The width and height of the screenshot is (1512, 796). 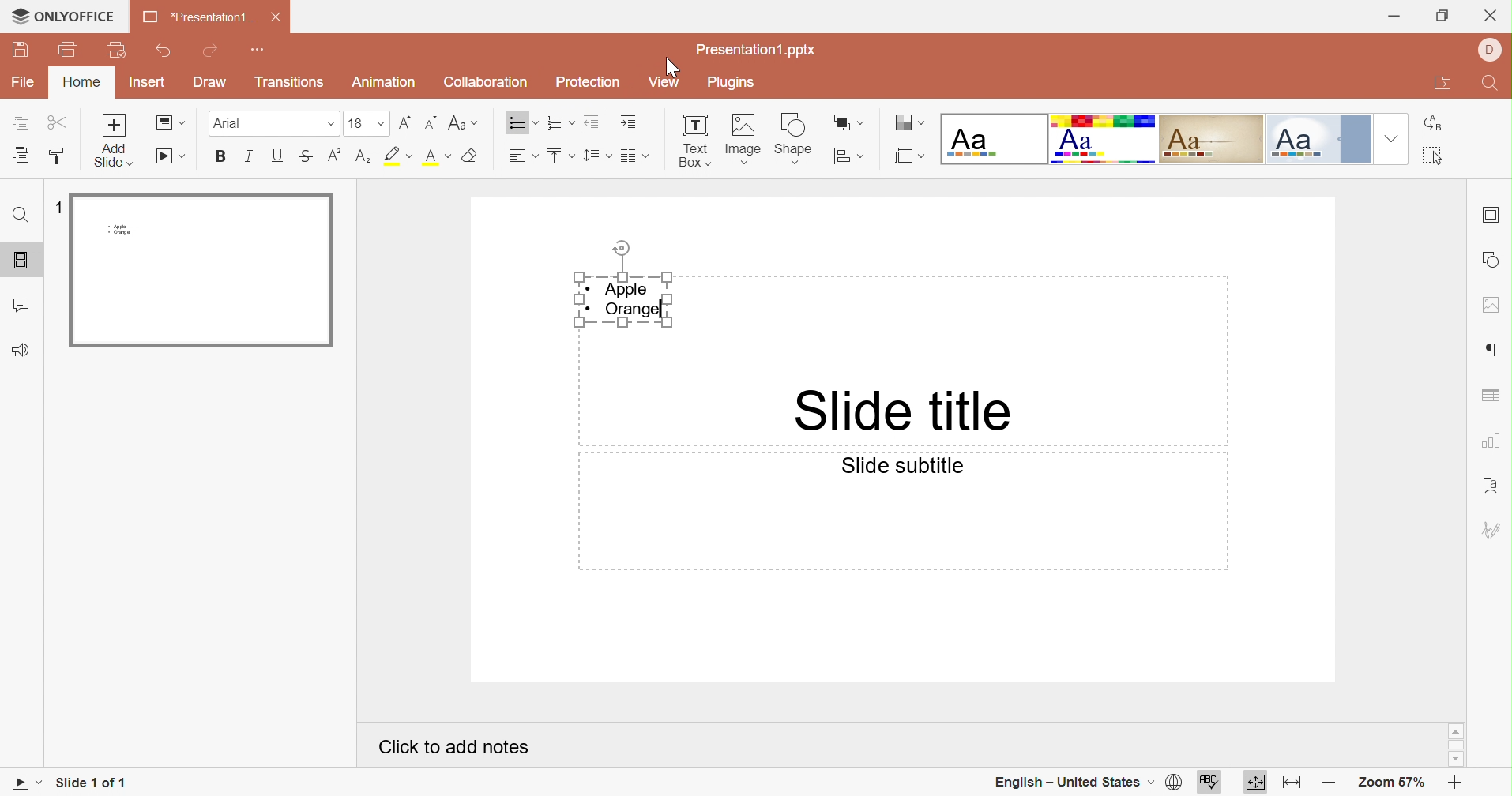 I want to click on Bullet, so click(x=589, y=288).